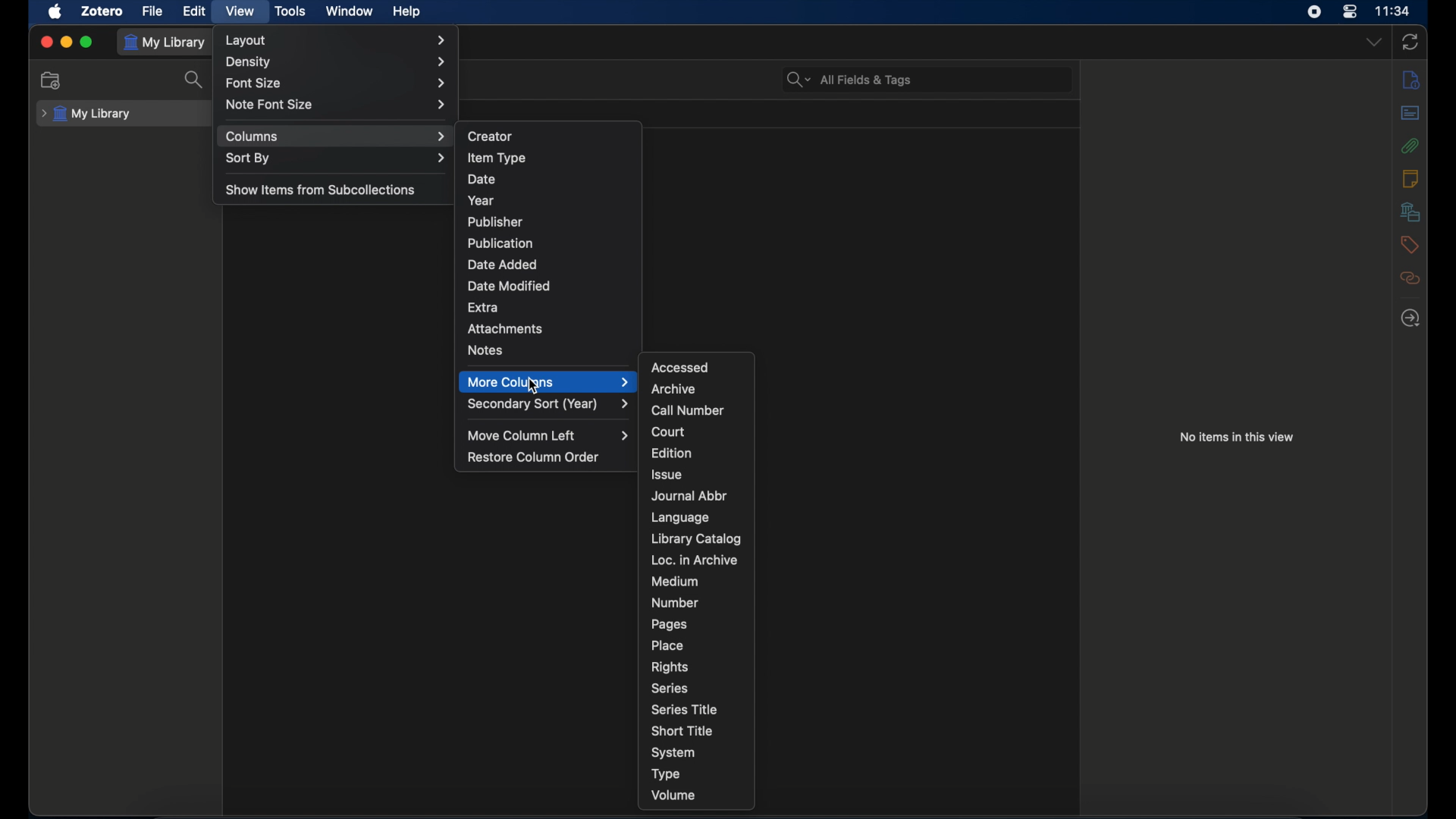 This screenshot has width=1456, height=819. Describe the element at coordinates (548, 404) in the screenshot. I see `secondary sort` at that location.